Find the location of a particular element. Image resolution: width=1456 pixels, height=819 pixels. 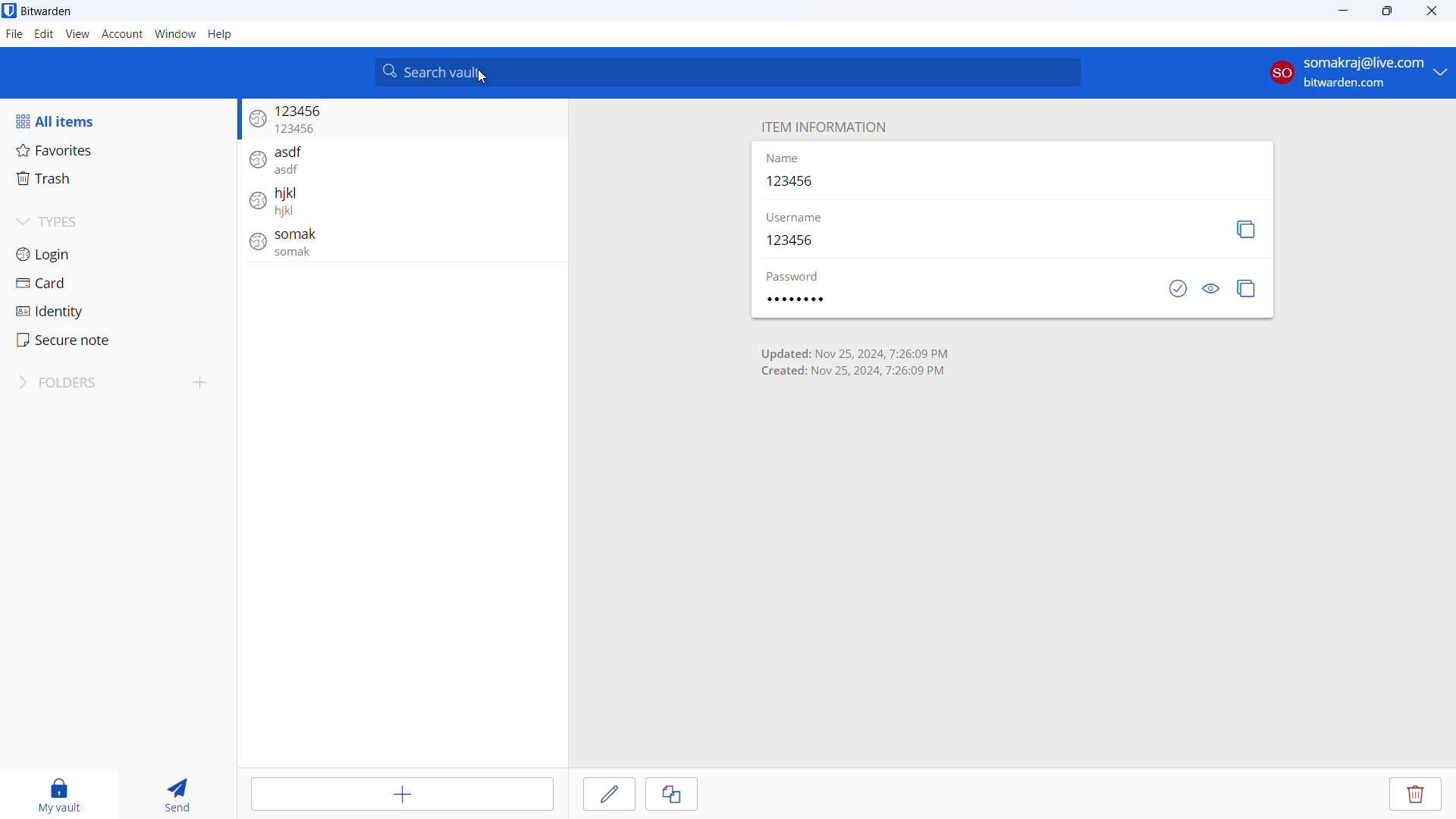

secure note is located at coordinates (116, 340).